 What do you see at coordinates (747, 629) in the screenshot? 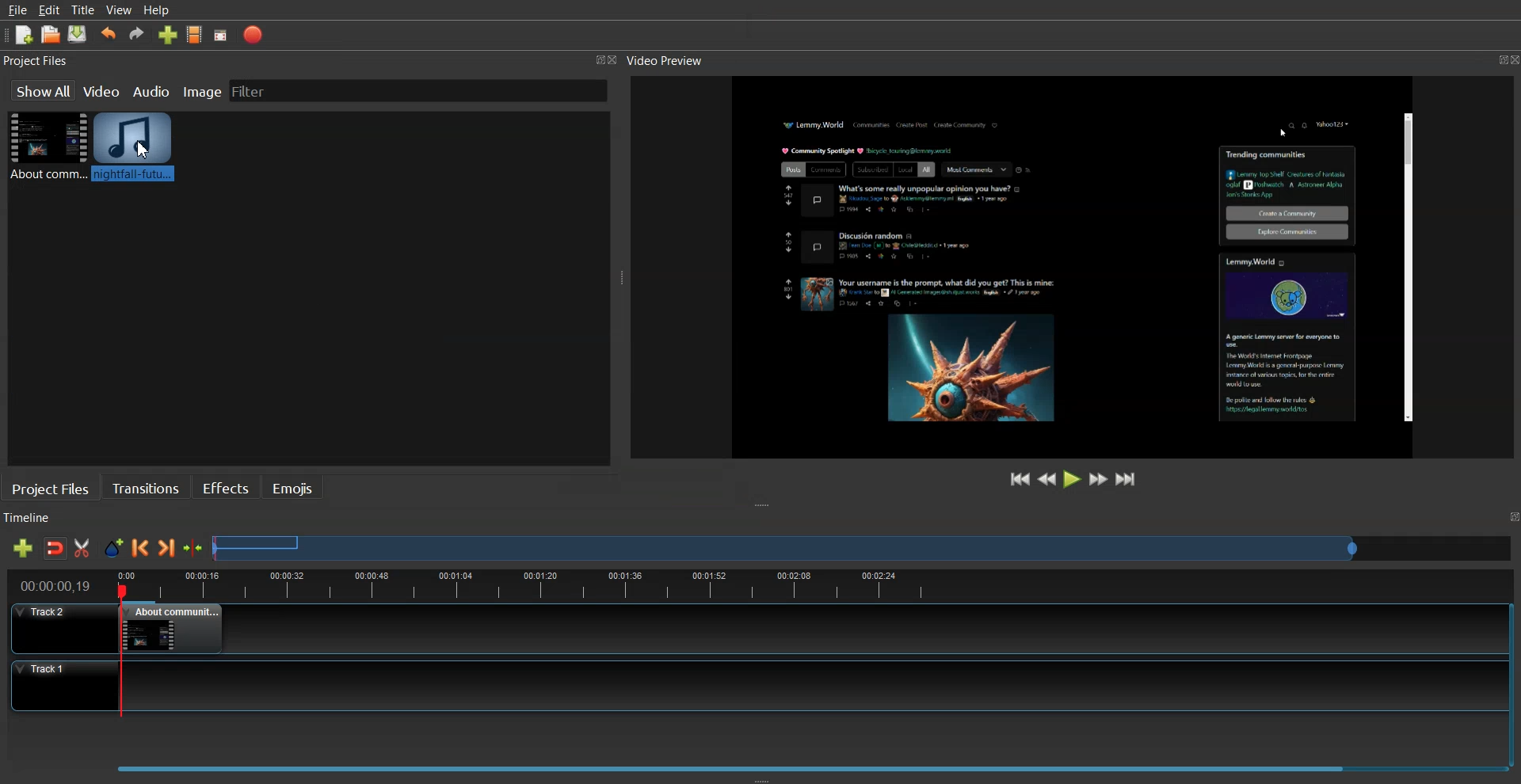
I see `Track 2` at bounding box center [747, 629].